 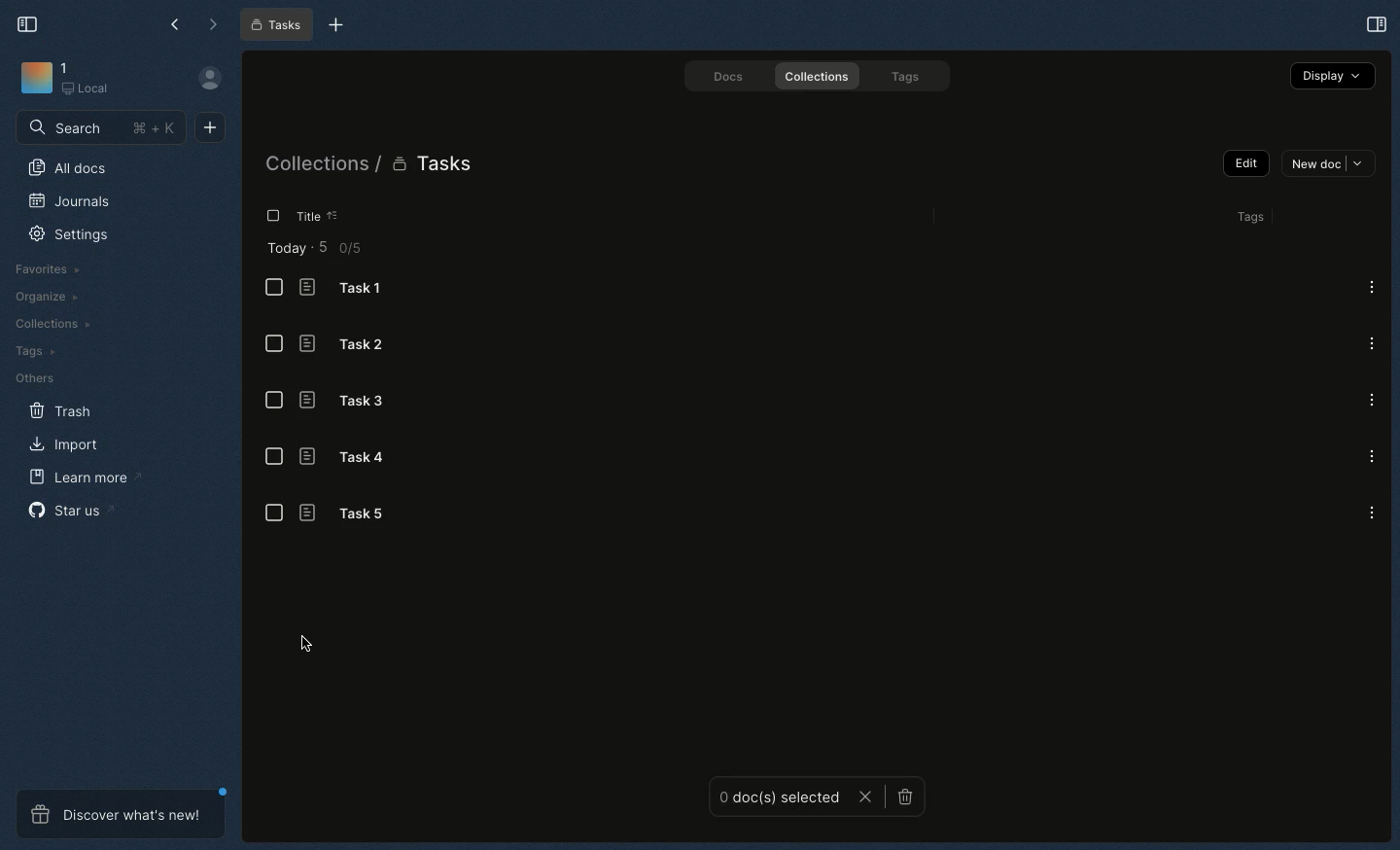 What do you see at coordinates (272, 343) in the screenshot?
I see `List view` at bounding box center [272, 343].